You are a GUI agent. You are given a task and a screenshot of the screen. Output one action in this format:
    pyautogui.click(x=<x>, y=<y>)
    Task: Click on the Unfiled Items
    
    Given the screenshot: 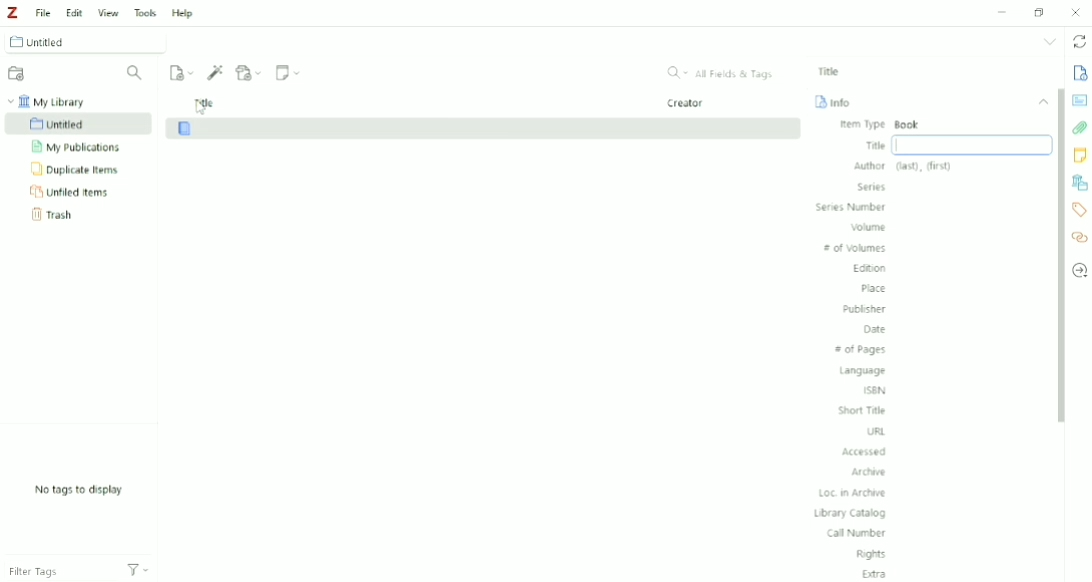 What is the action you would take?
    pyautogui.click(x=73, y=192)
    